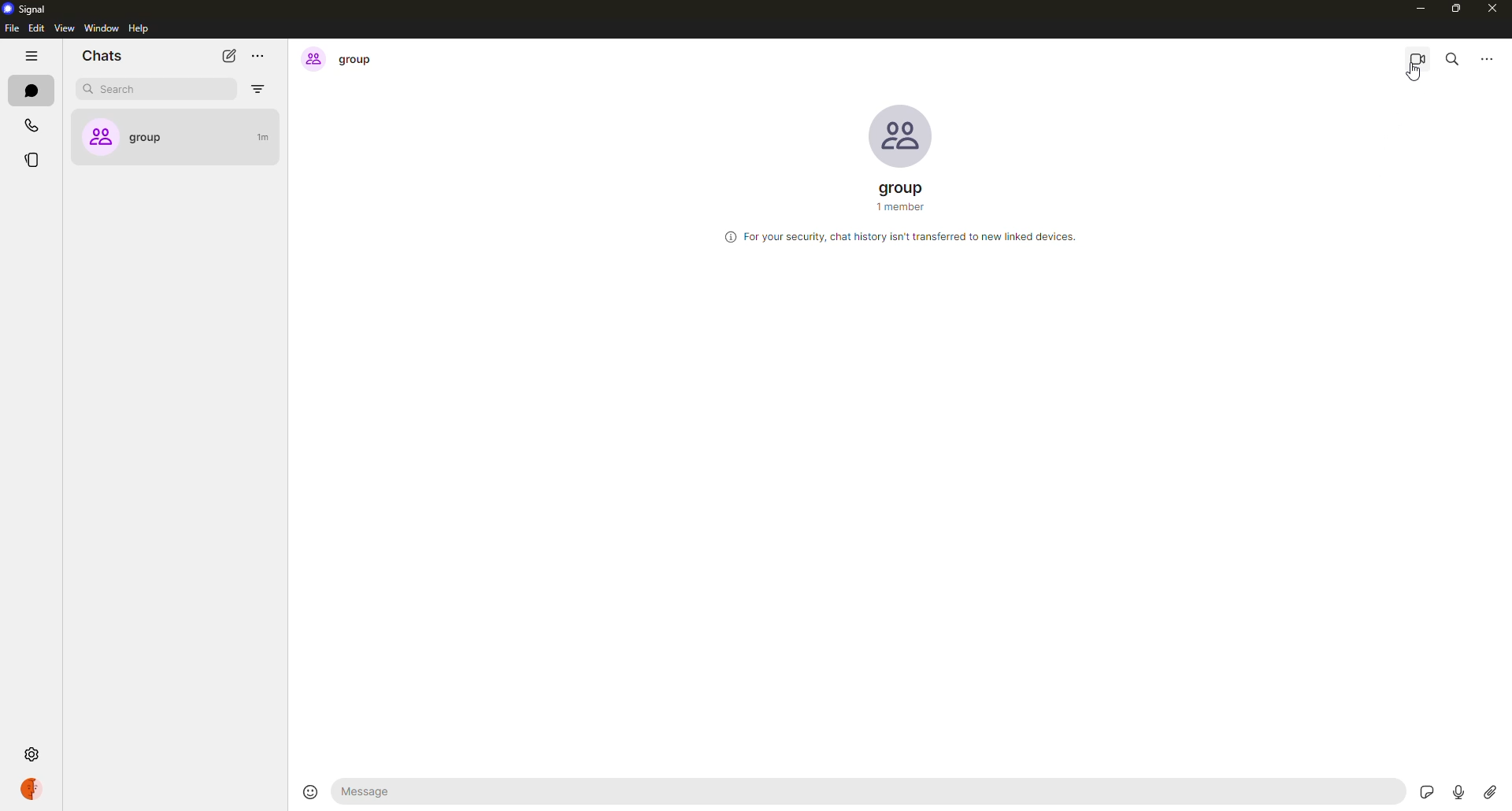 The image size is (1512, 811). Describe the element at coordinates (36, 29) in the screenshot. I see `edit` at that location.